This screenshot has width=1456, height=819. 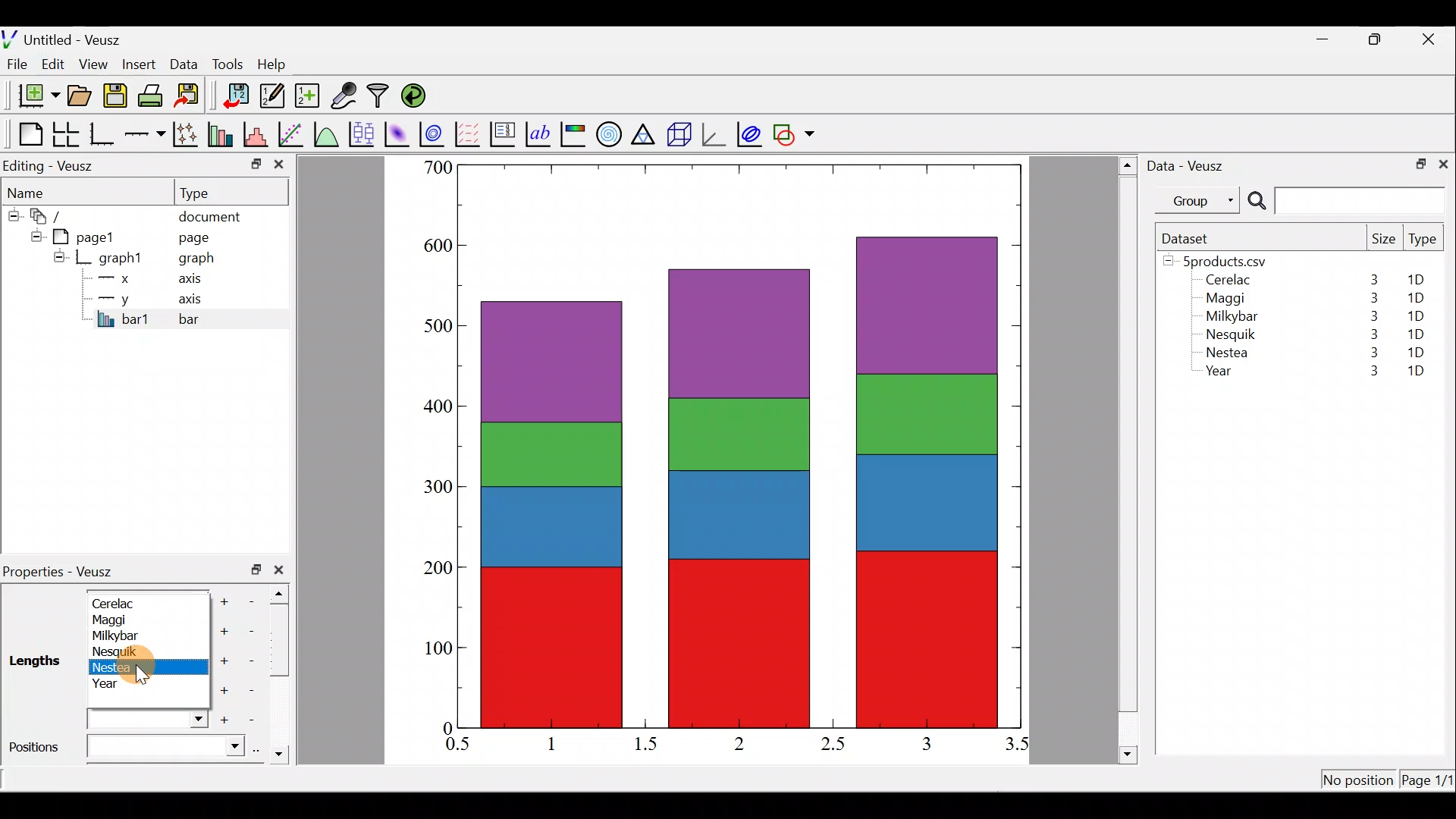 What do you see at coordinates (35, 190) in the screenshot?
I see `Name` at bounding box center [35, 190].